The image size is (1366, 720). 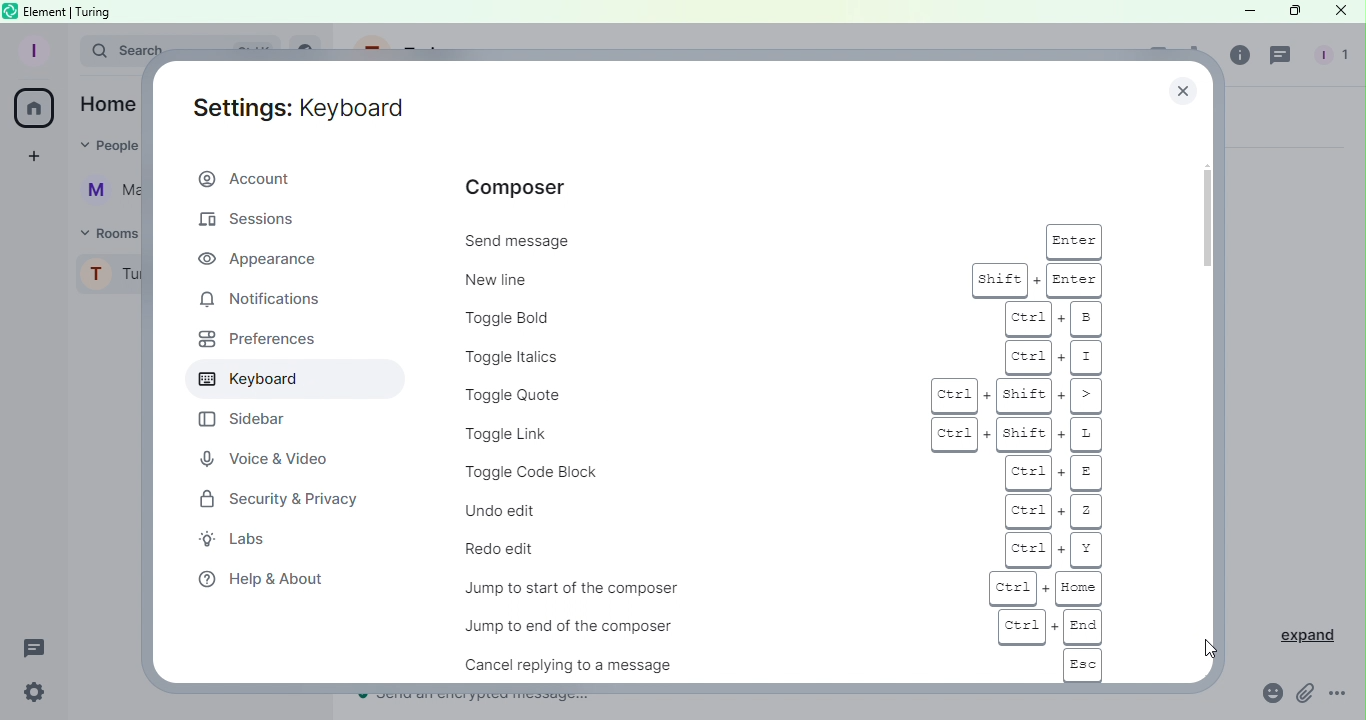 What do you see at coordinates (245, 541) in the screenshot?
I see `Labs` at bounding box center [245, 541].